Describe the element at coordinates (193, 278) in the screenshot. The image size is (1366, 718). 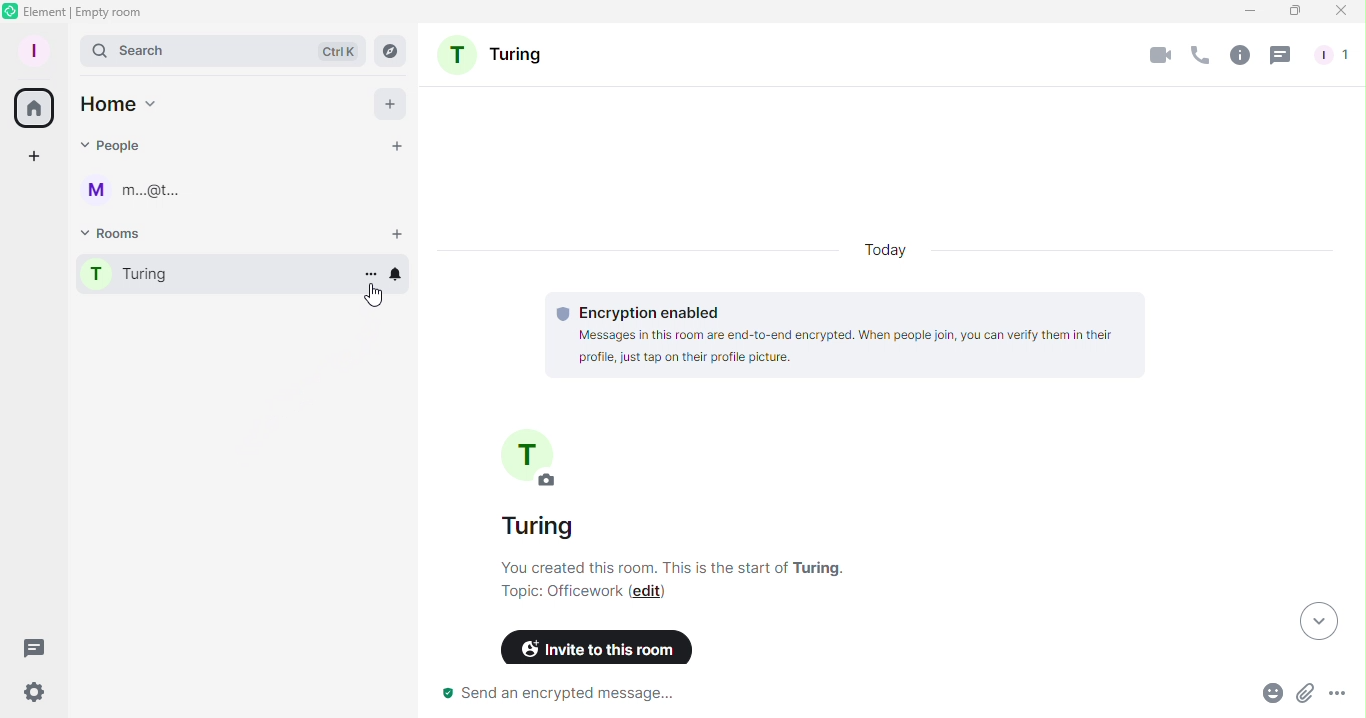
I see `Room` at that location.